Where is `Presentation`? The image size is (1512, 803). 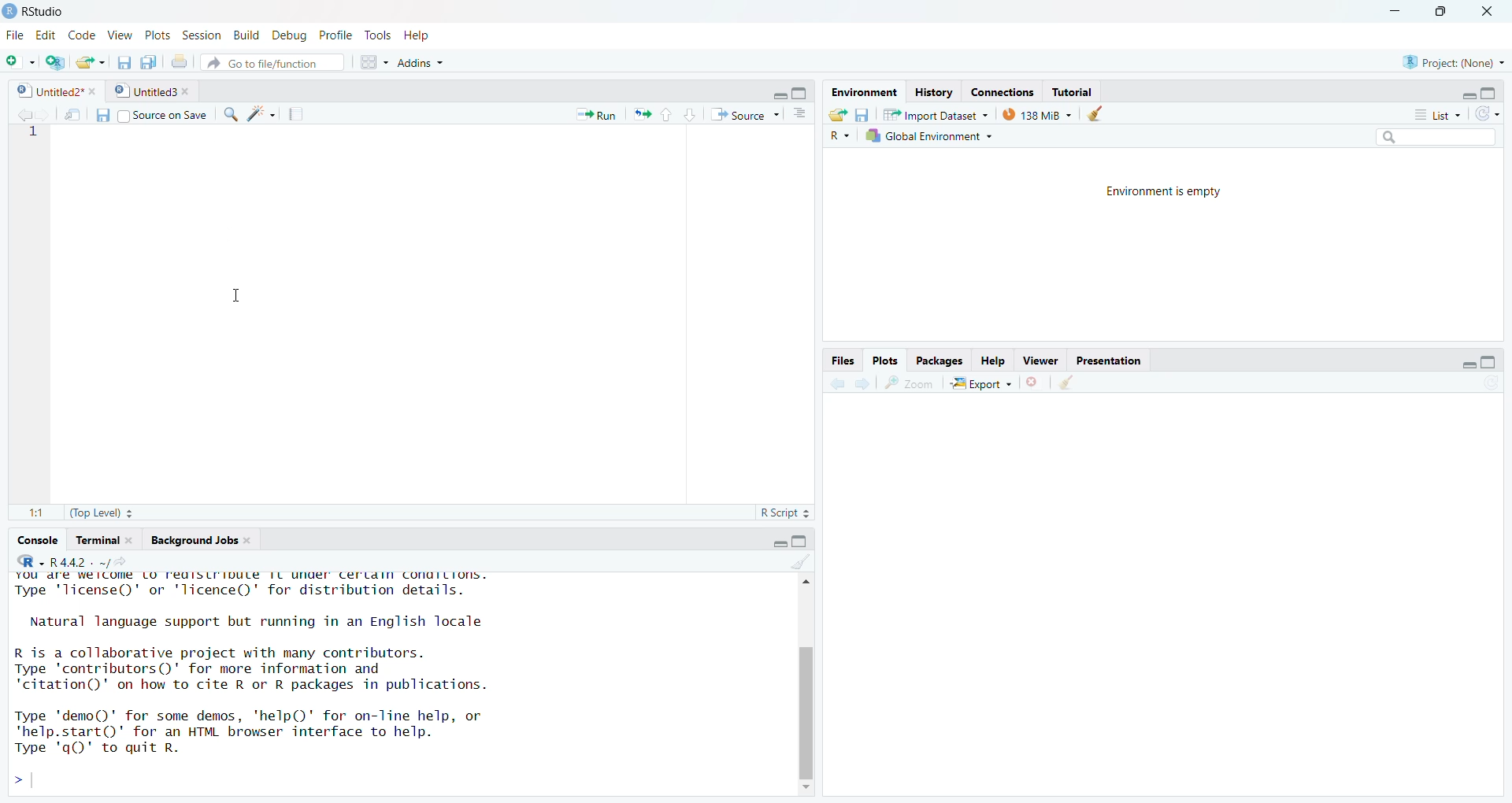
Presentation is located at coordinates (1118, 359).